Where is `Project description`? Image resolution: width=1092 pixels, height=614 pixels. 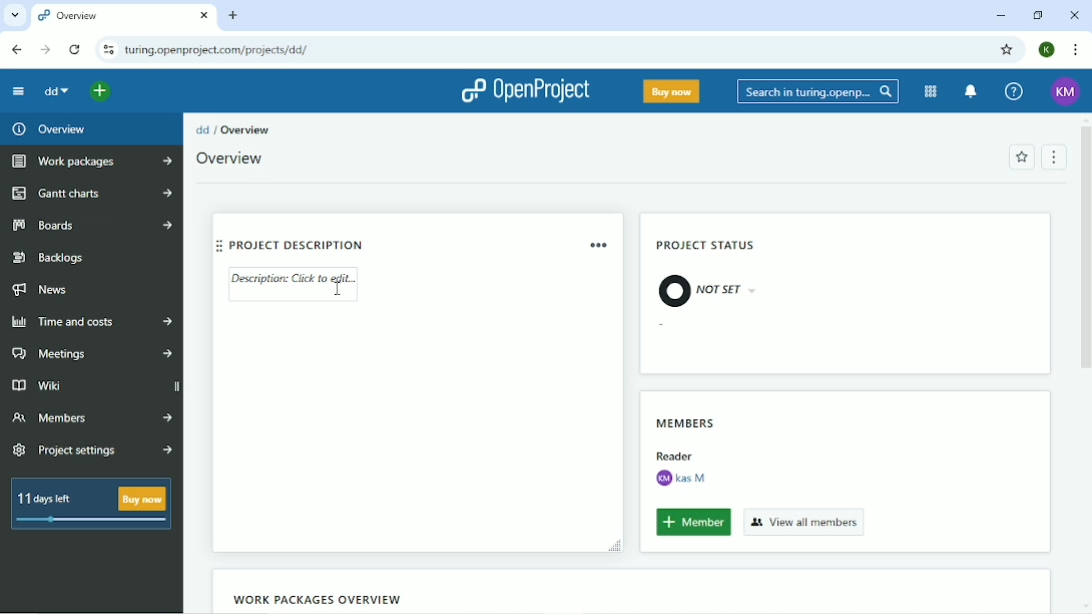 Project description is located at coordinates (380, 243).